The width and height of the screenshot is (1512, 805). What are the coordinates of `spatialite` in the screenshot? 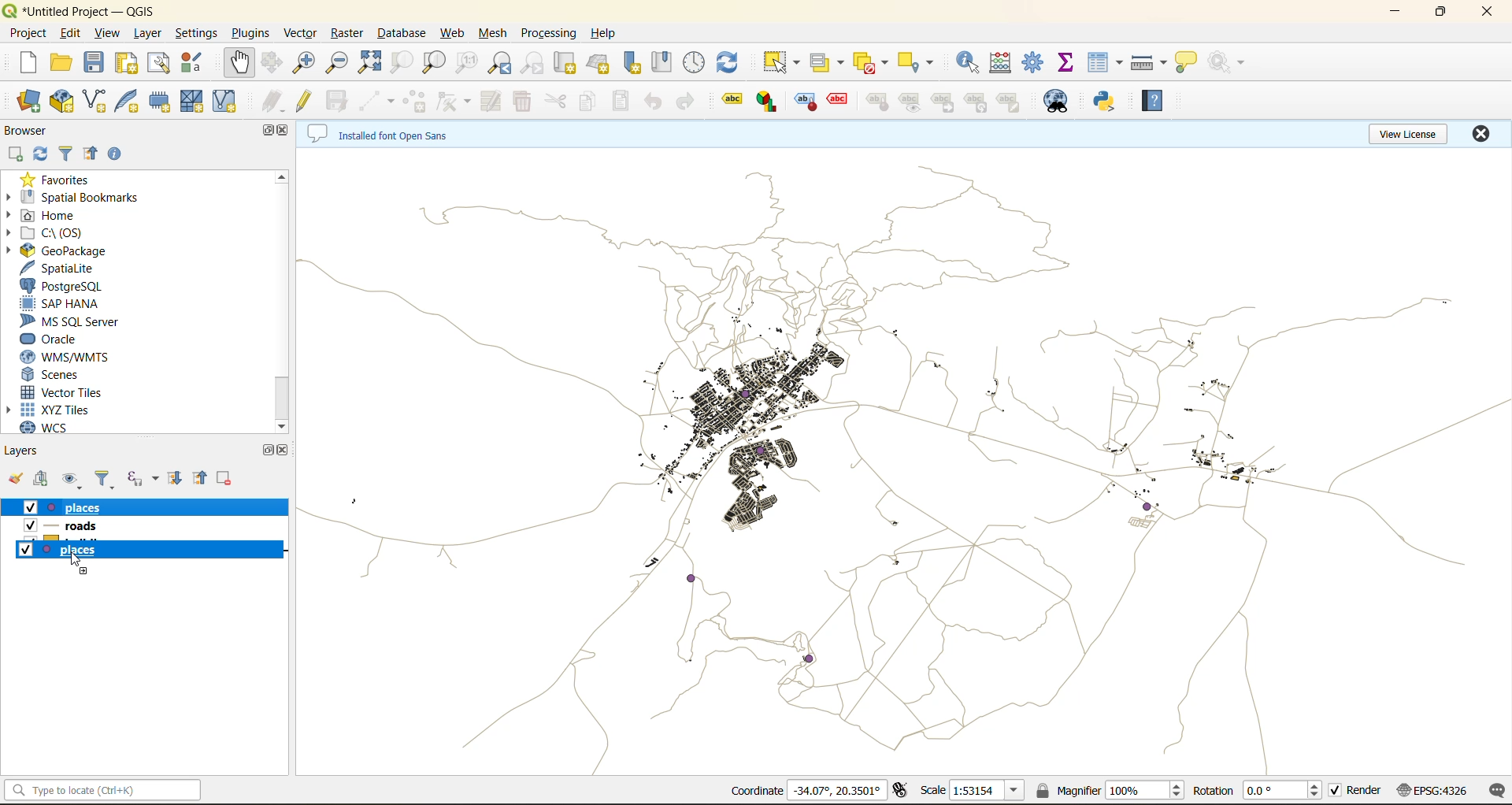 It's located at (76, 269).